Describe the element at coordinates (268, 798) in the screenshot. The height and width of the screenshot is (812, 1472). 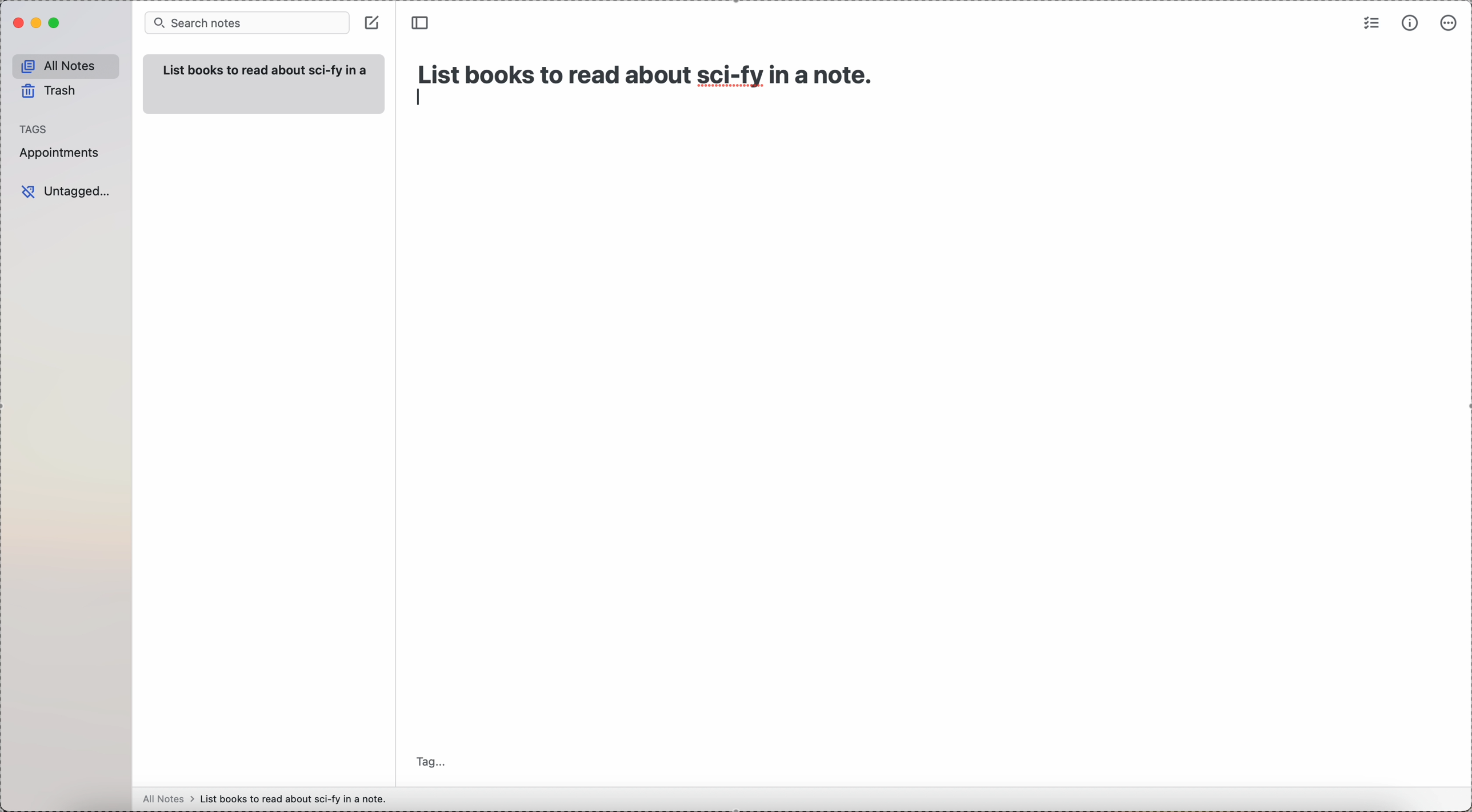
I see `all notes > List books to read about sci-fy in a note.` at that location.